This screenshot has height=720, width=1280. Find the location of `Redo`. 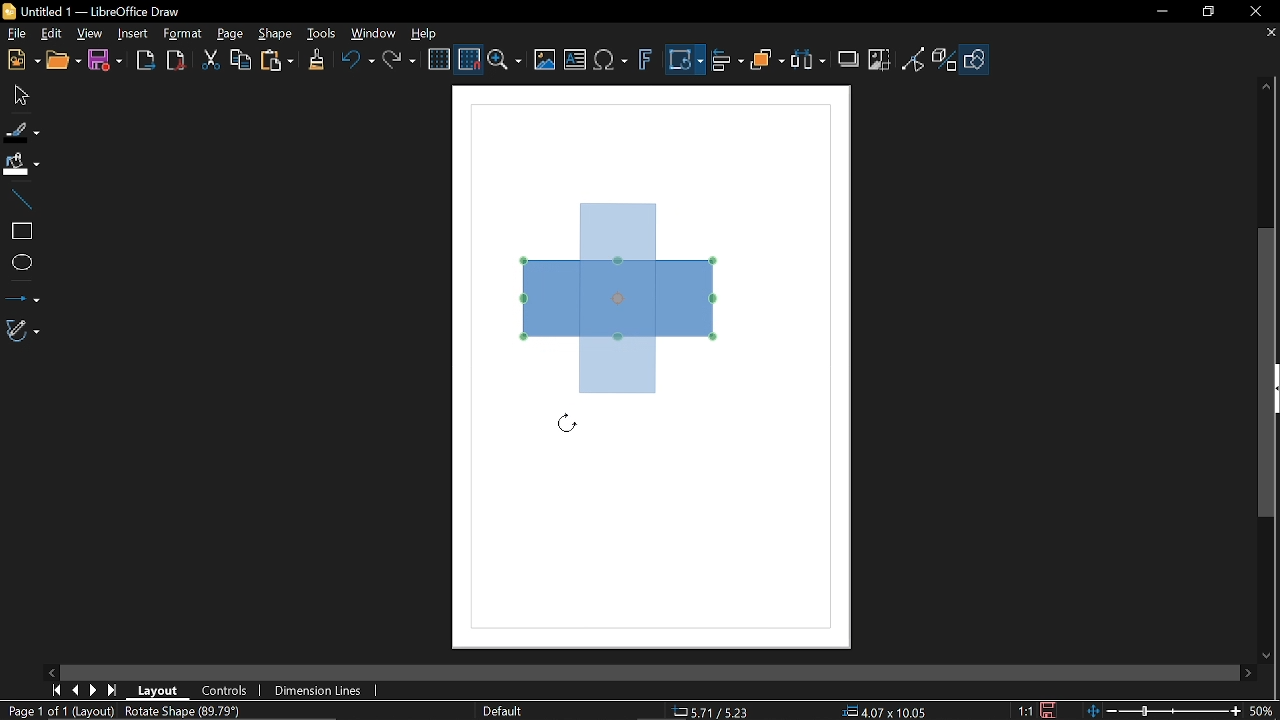

Redo is located at coordinates (398, 62).